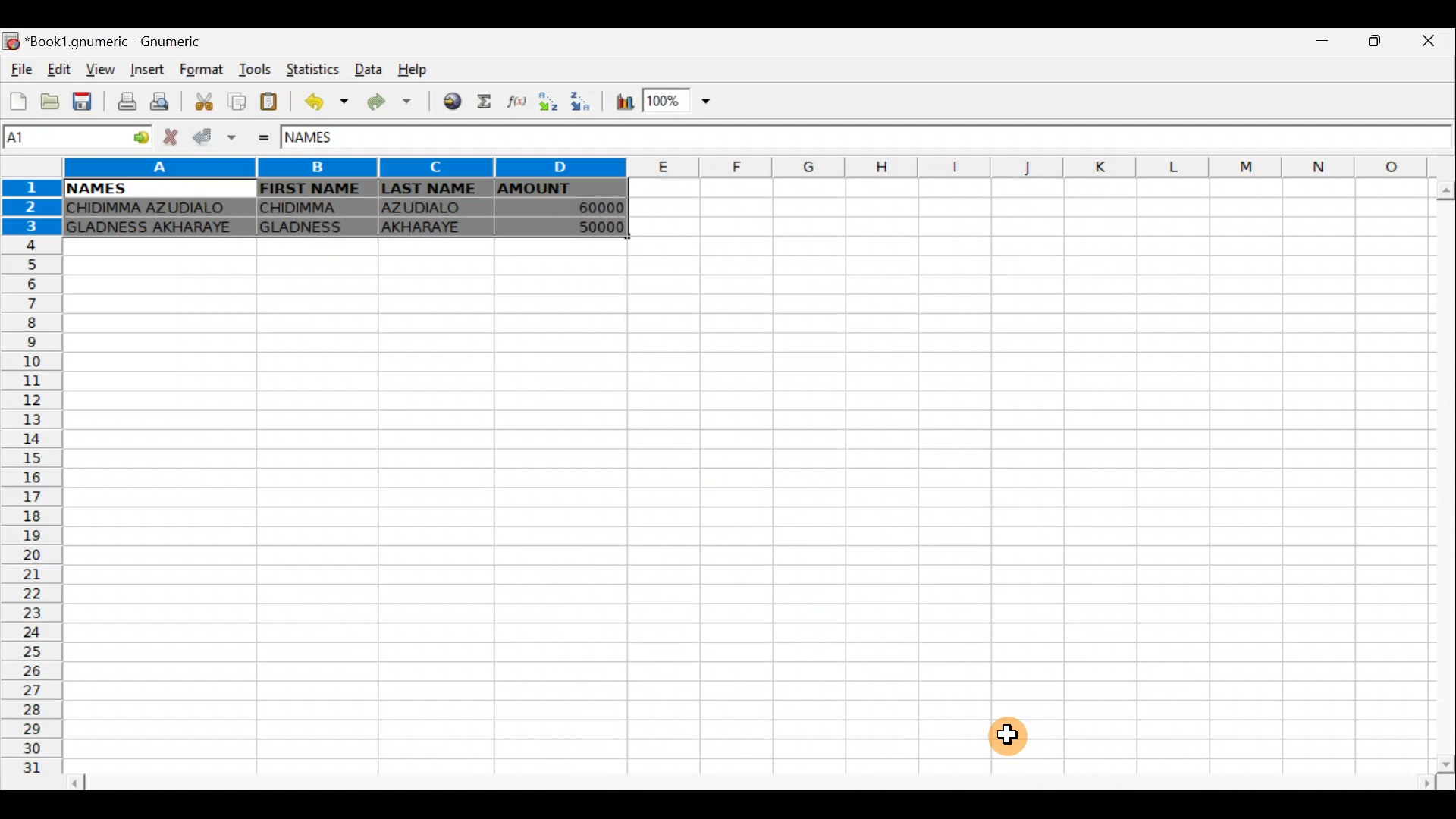 Image resolution: width=1456 pixels, height=819 pixels. I want to click on Open a file, so click(52, 101).